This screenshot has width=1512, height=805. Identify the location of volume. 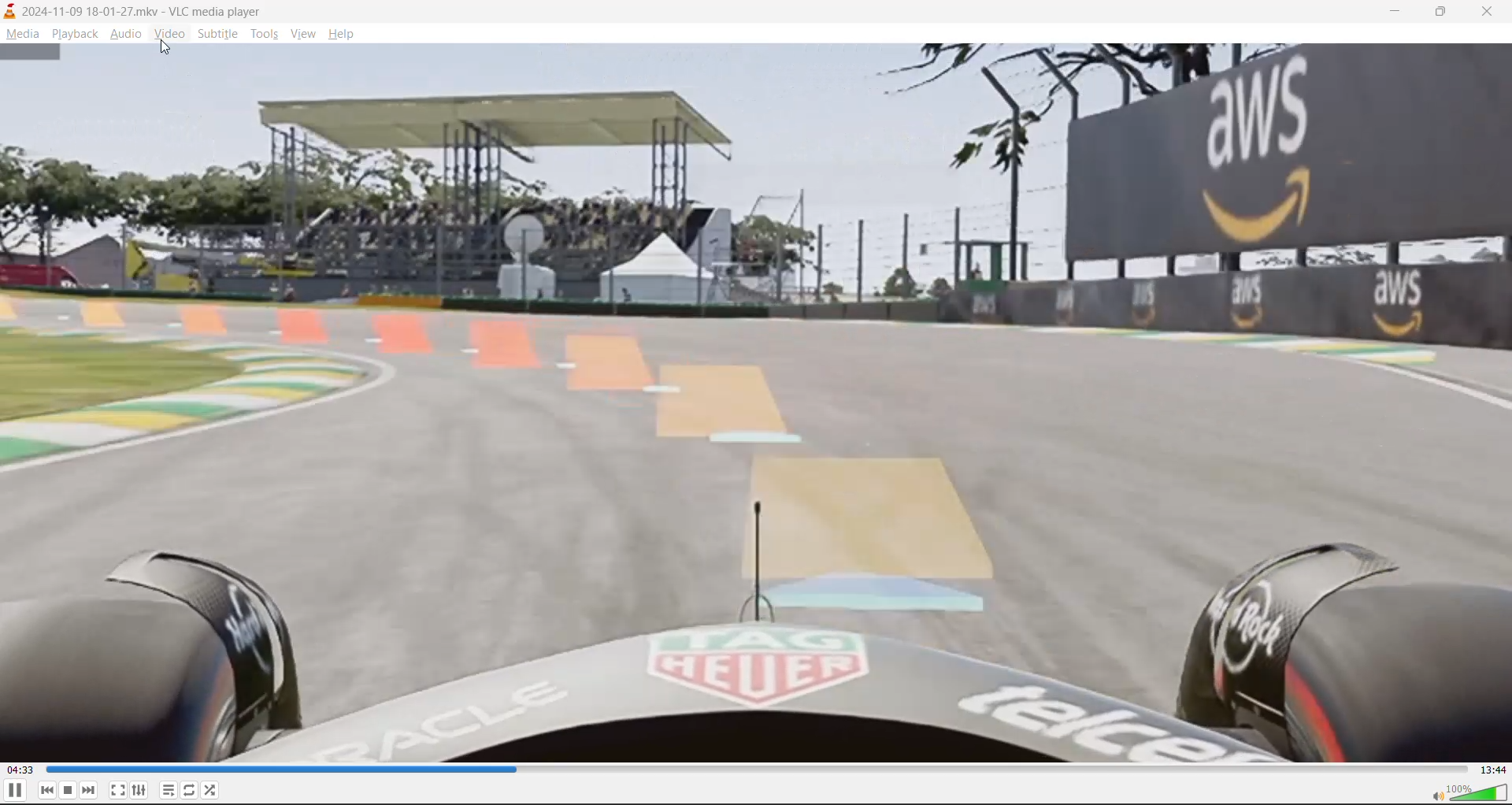
(1470, 792).